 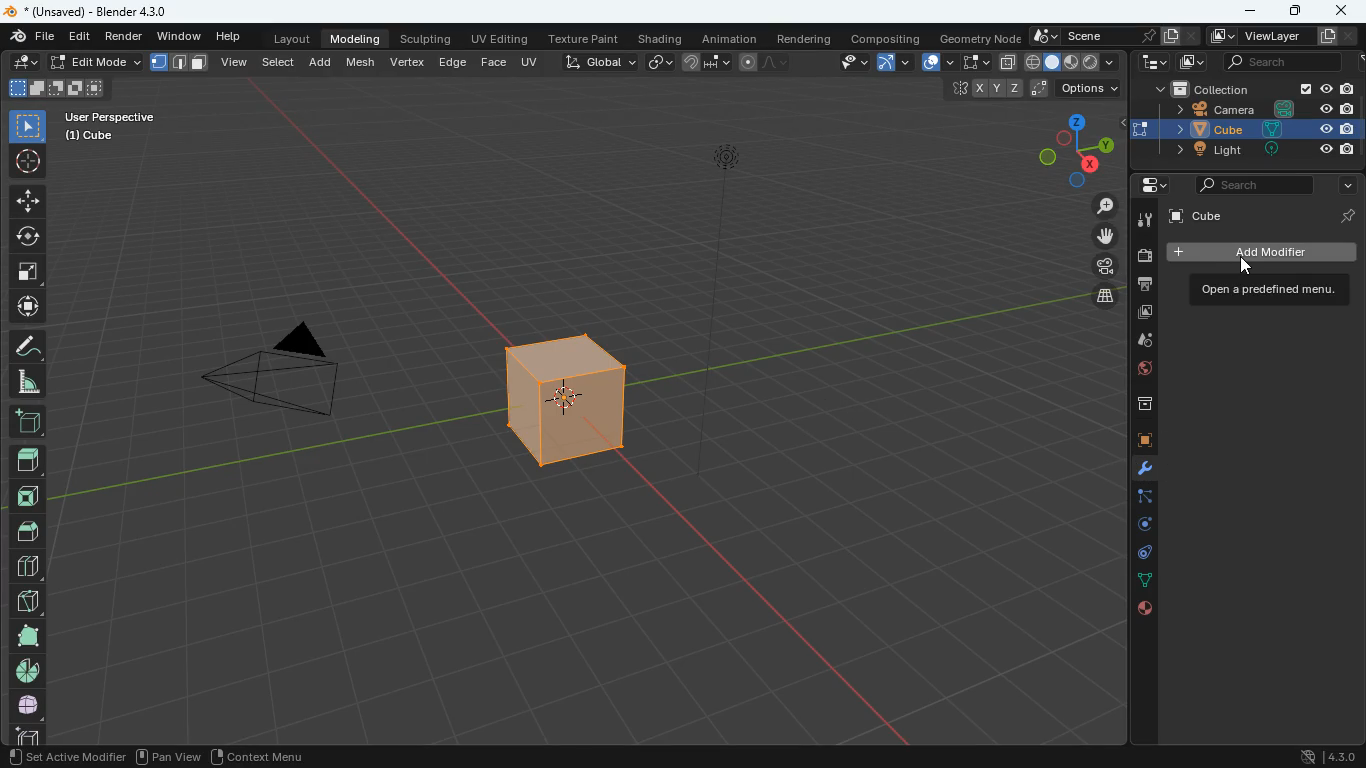 What do you see at coordinates (1264, 216) in the screenshot?
I see `cube` at bounding box center [1264, 216].